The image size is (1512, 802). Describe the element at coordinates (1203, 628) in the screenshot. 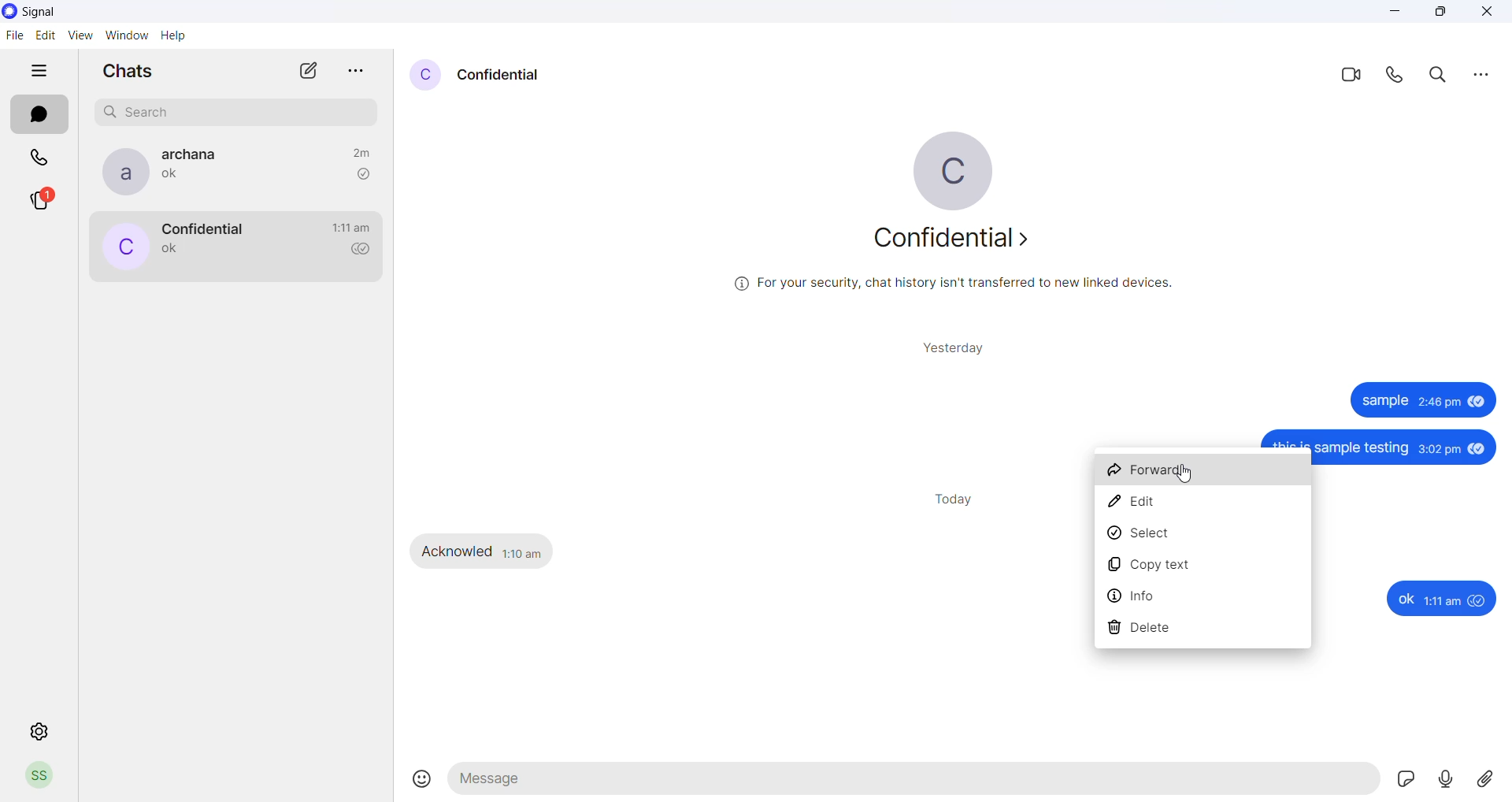

I see `delete` at that location.